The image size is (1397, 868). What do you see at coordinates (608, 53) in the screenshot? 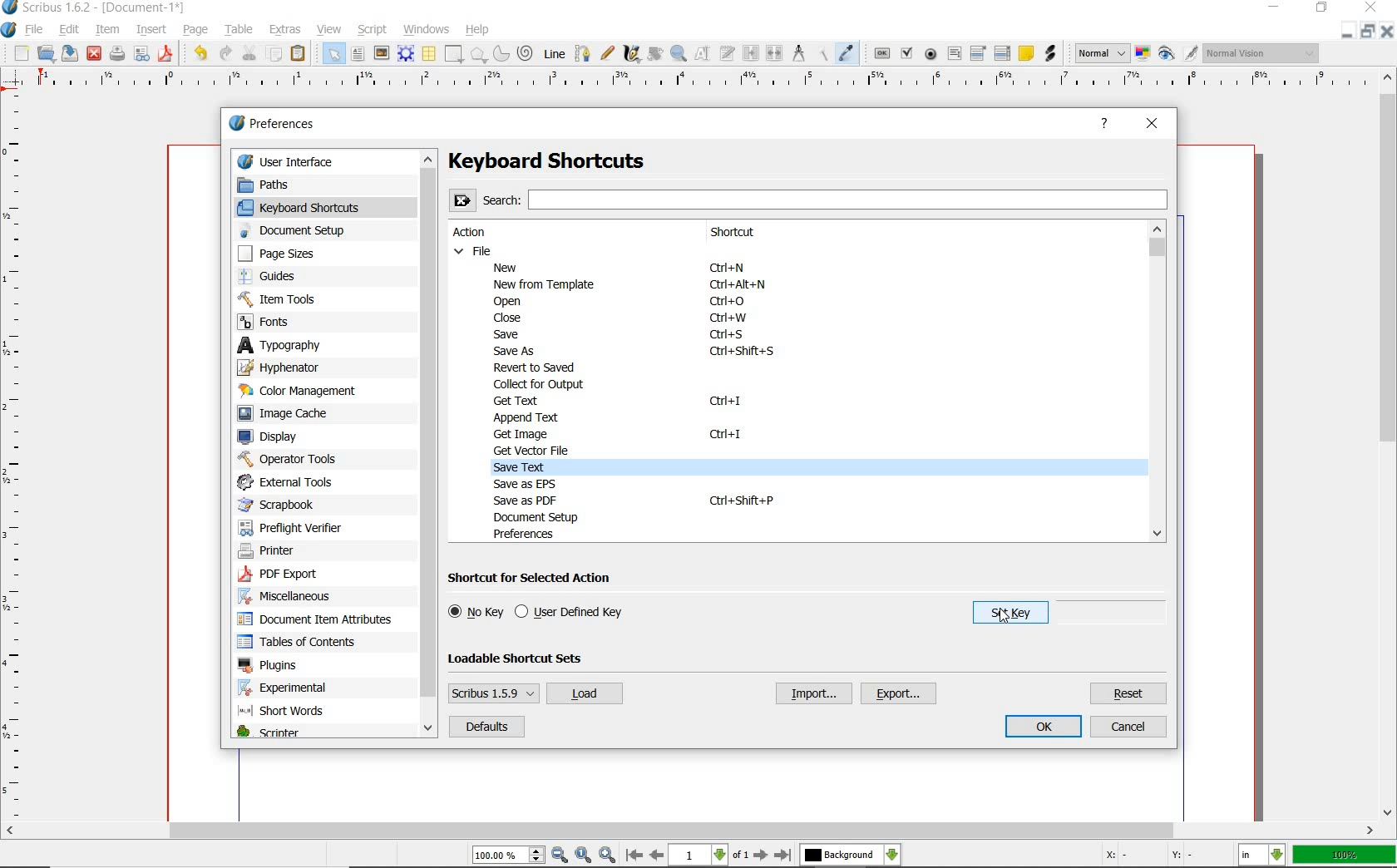
I see `freehand line` at bounding box center [608, 53].